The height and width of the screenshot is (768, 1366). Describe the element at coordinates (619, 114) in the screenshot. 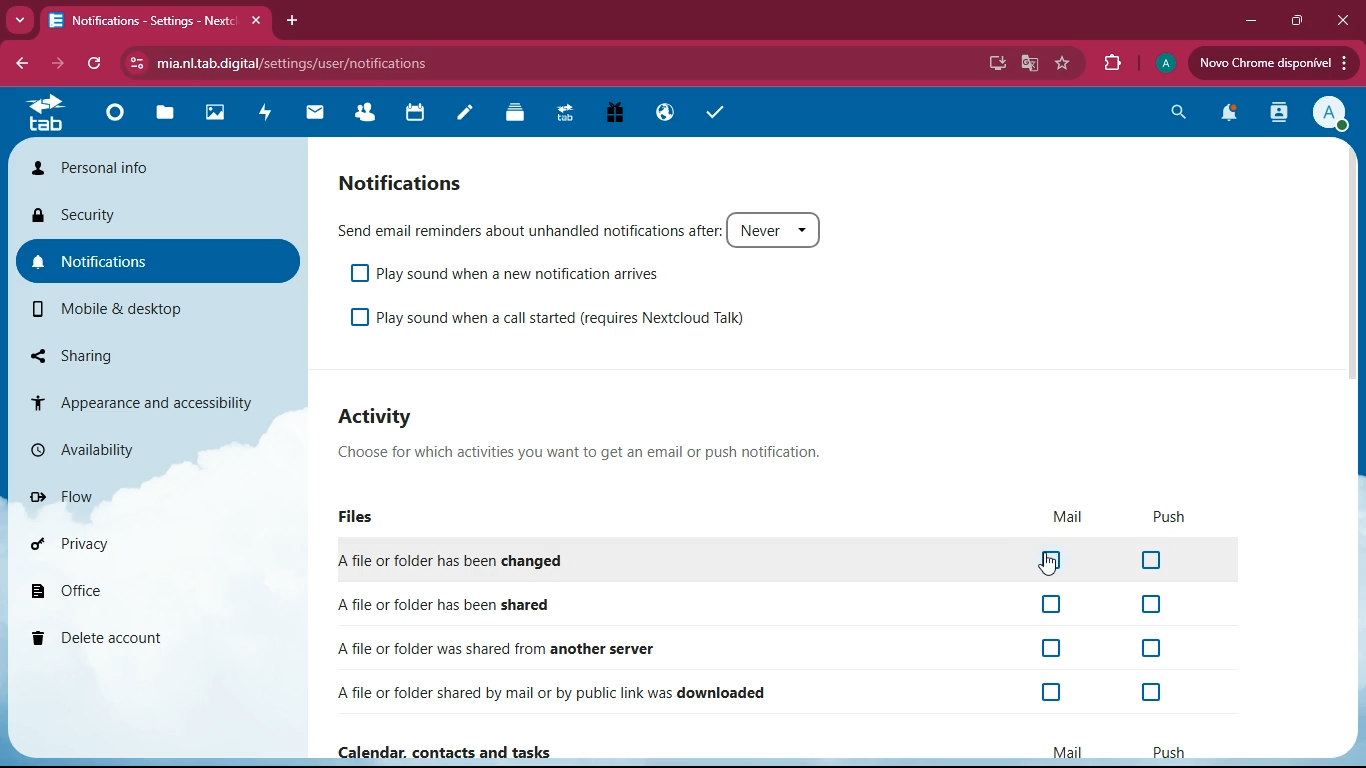

I see `gift` at that location.